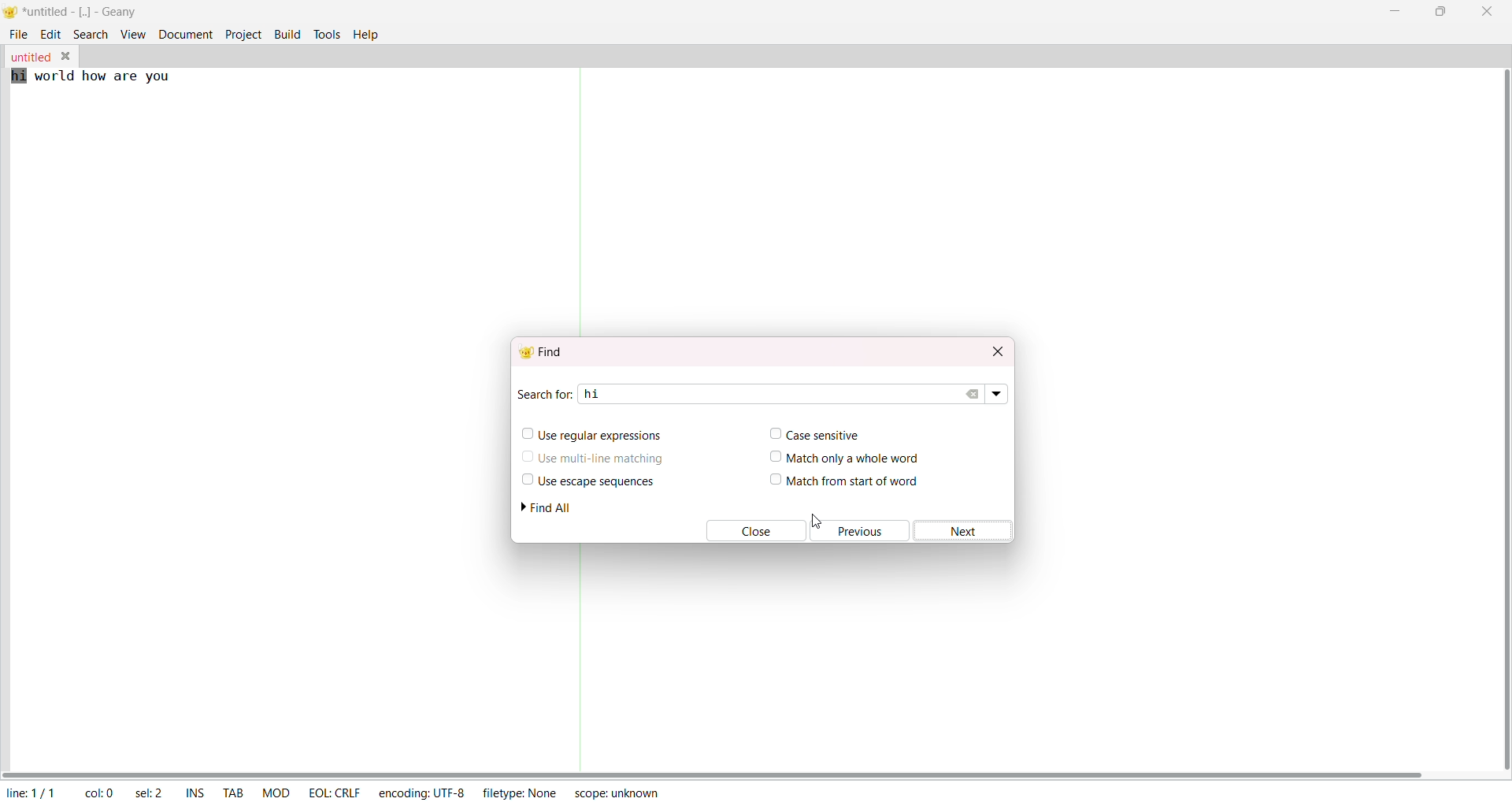  Describe the element at coordinates (102, 792) in the screenshot. I see `col: 22` at that location.